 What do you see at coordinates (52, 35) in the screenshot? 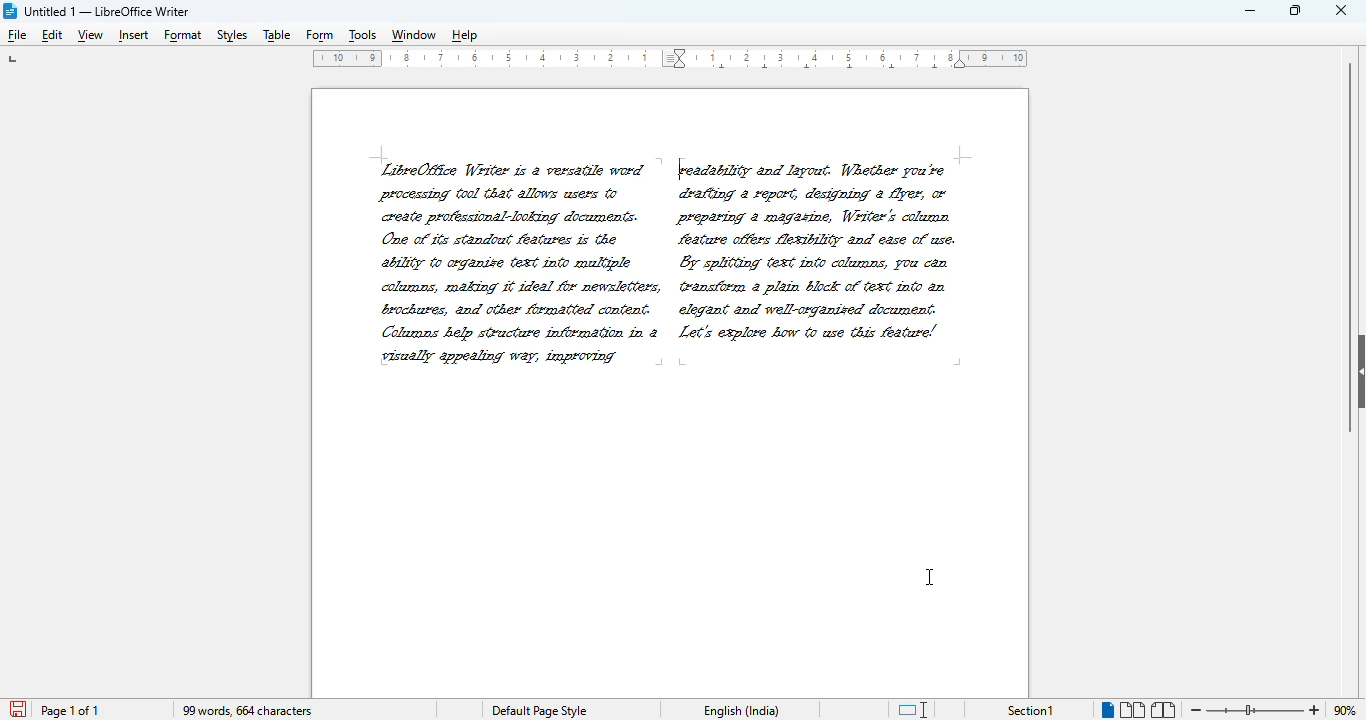
I see `edit` at bounding box center [52, 35].